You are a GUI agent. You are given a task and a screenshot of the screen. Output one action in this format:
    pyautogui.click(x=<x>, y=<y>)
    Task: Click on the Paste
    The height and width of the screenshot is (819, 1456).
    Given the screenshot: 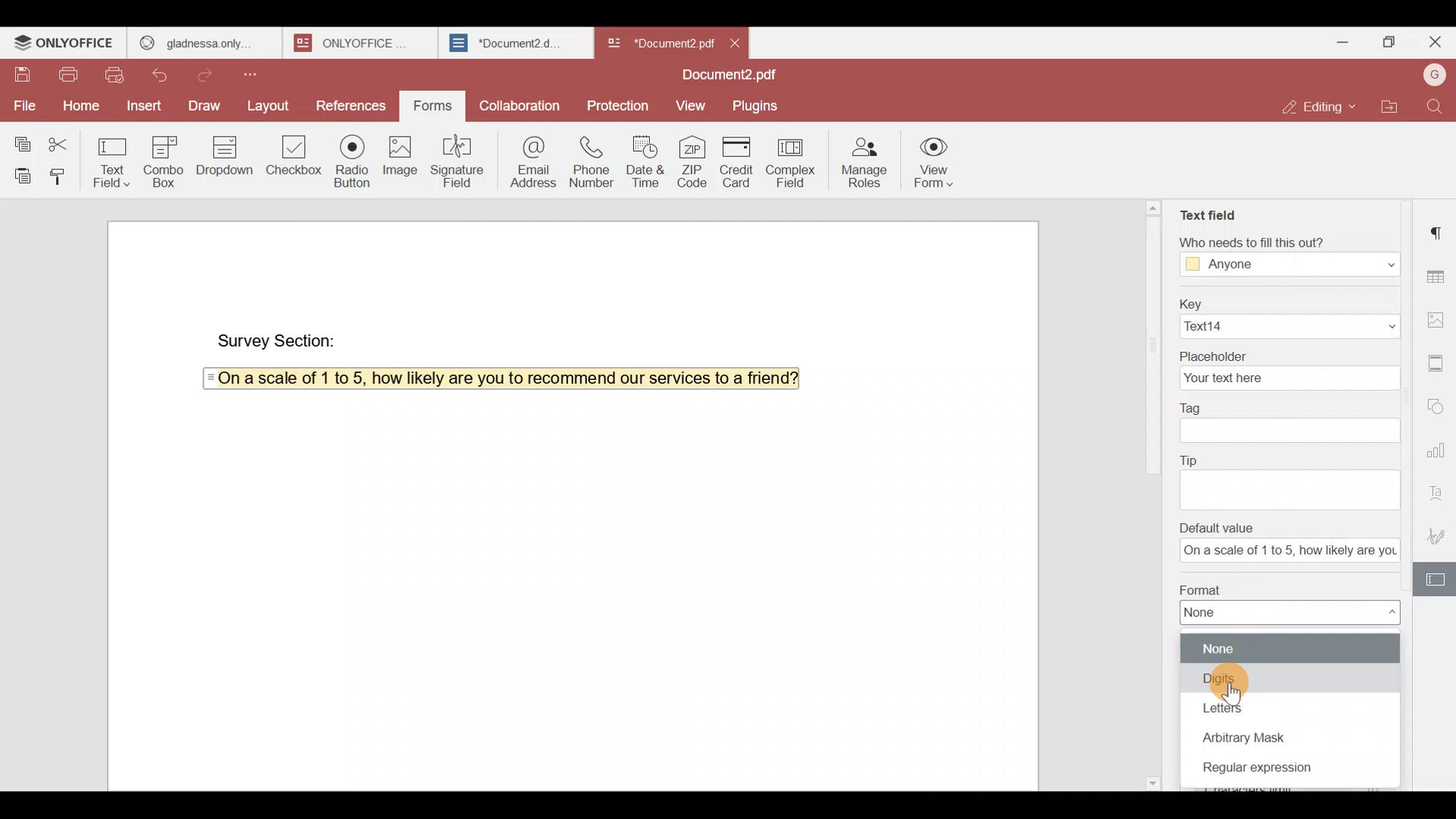 What is the action you would take?
    pyautogui.click(x=18, y=173)
    